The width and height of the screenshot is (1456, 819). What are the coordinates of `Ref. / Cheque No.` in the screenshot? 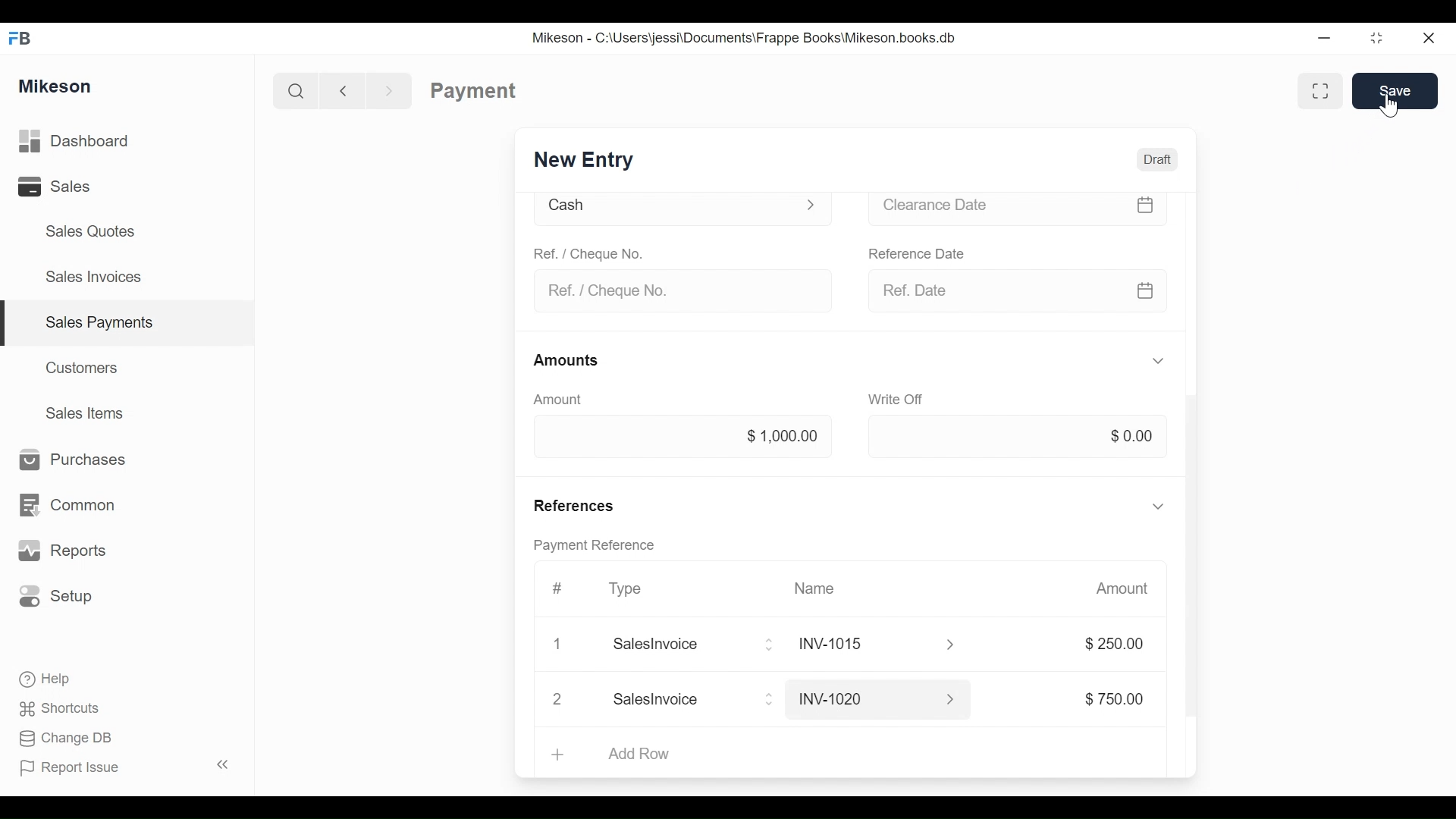 It's located at (594, 256).